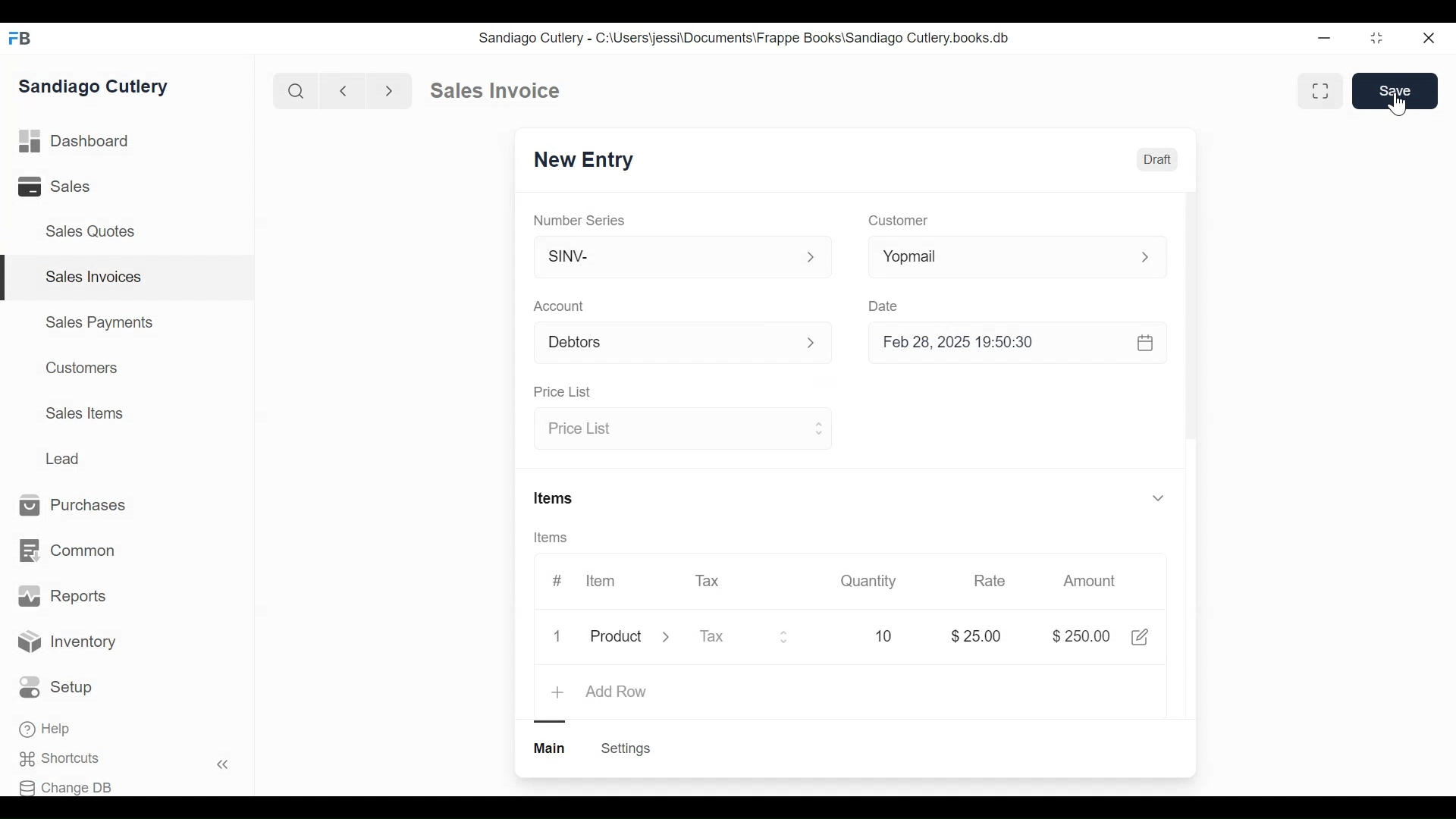 The image size is (1456, 819). I want to click on Inventory, so click(67, 644).